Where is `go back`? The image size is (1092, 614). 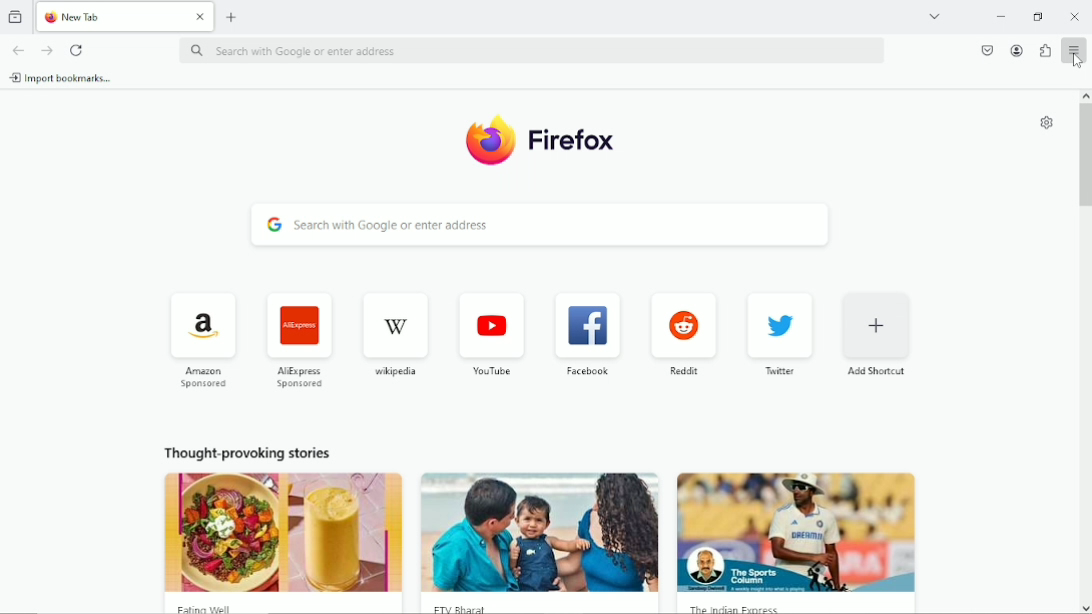 go back is located at coordinates (18, 50).